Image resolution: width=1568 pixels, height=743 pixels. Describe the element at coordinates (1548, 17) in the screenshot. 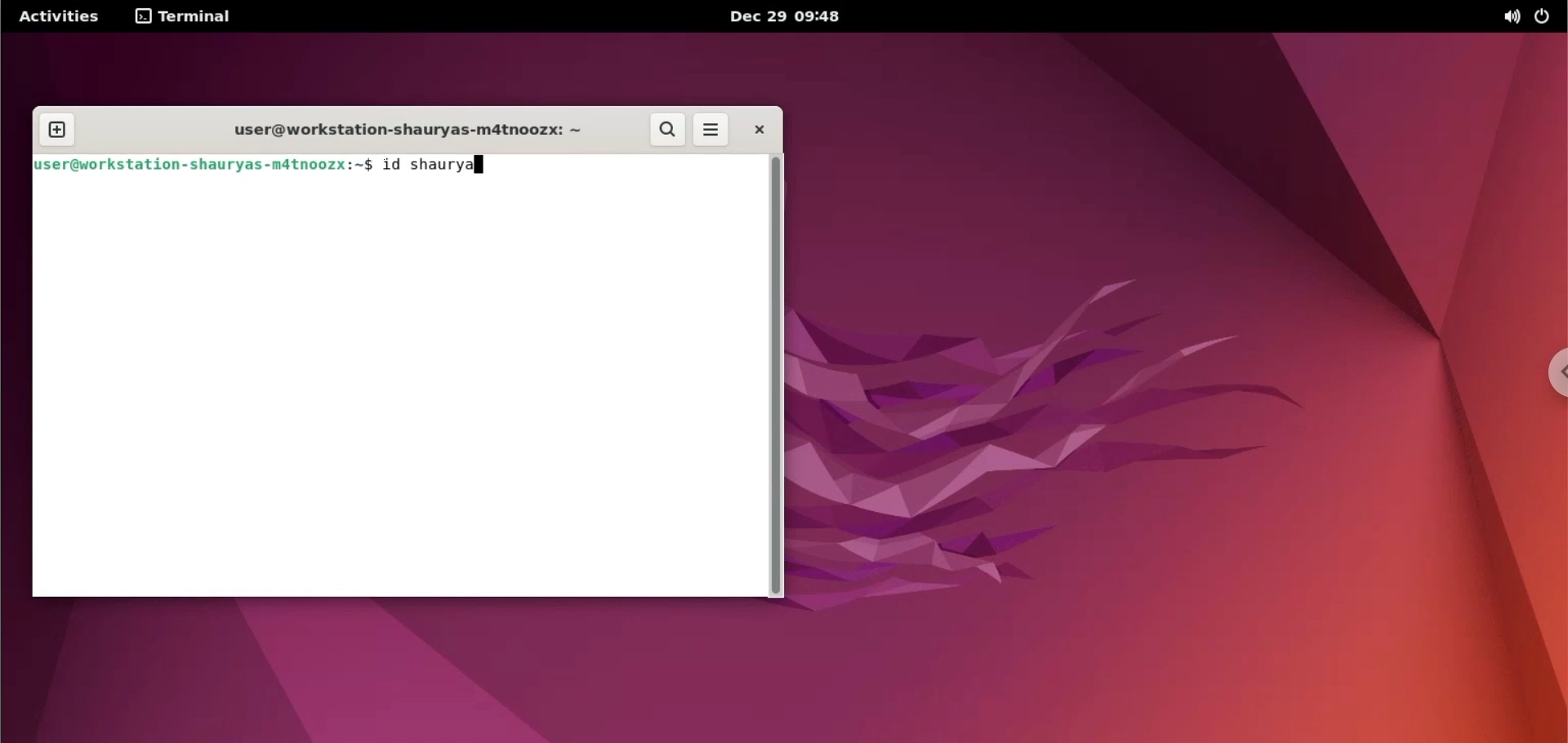

I see `power option` at that location.